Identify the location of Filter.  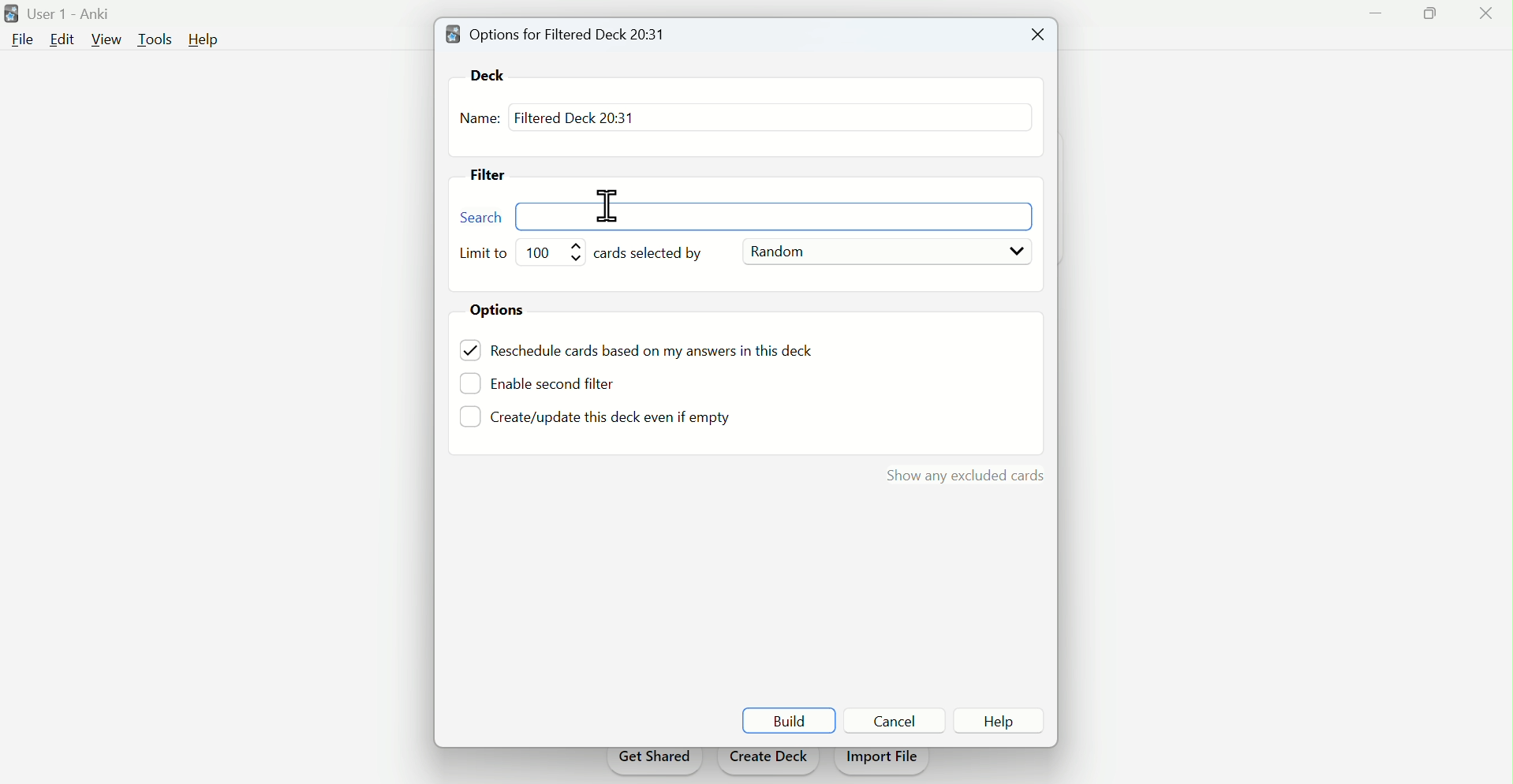
(495, 177).